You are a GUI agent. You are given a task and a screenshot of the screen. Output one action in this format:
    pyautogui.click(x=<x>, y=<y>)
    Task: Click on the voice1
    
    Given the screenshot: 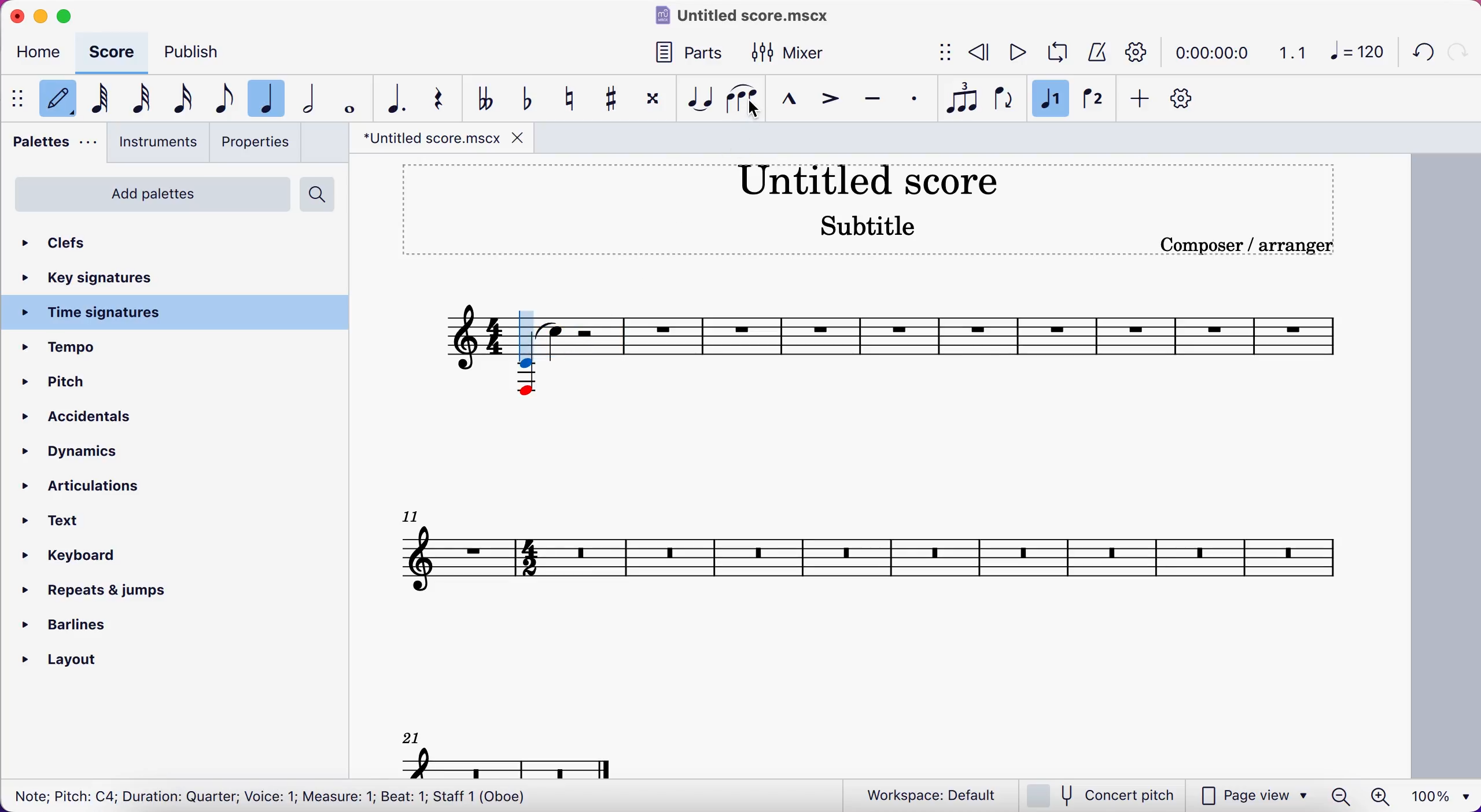 What is the action you would take?
    pyautogui.click(x=1048, y=99)
    